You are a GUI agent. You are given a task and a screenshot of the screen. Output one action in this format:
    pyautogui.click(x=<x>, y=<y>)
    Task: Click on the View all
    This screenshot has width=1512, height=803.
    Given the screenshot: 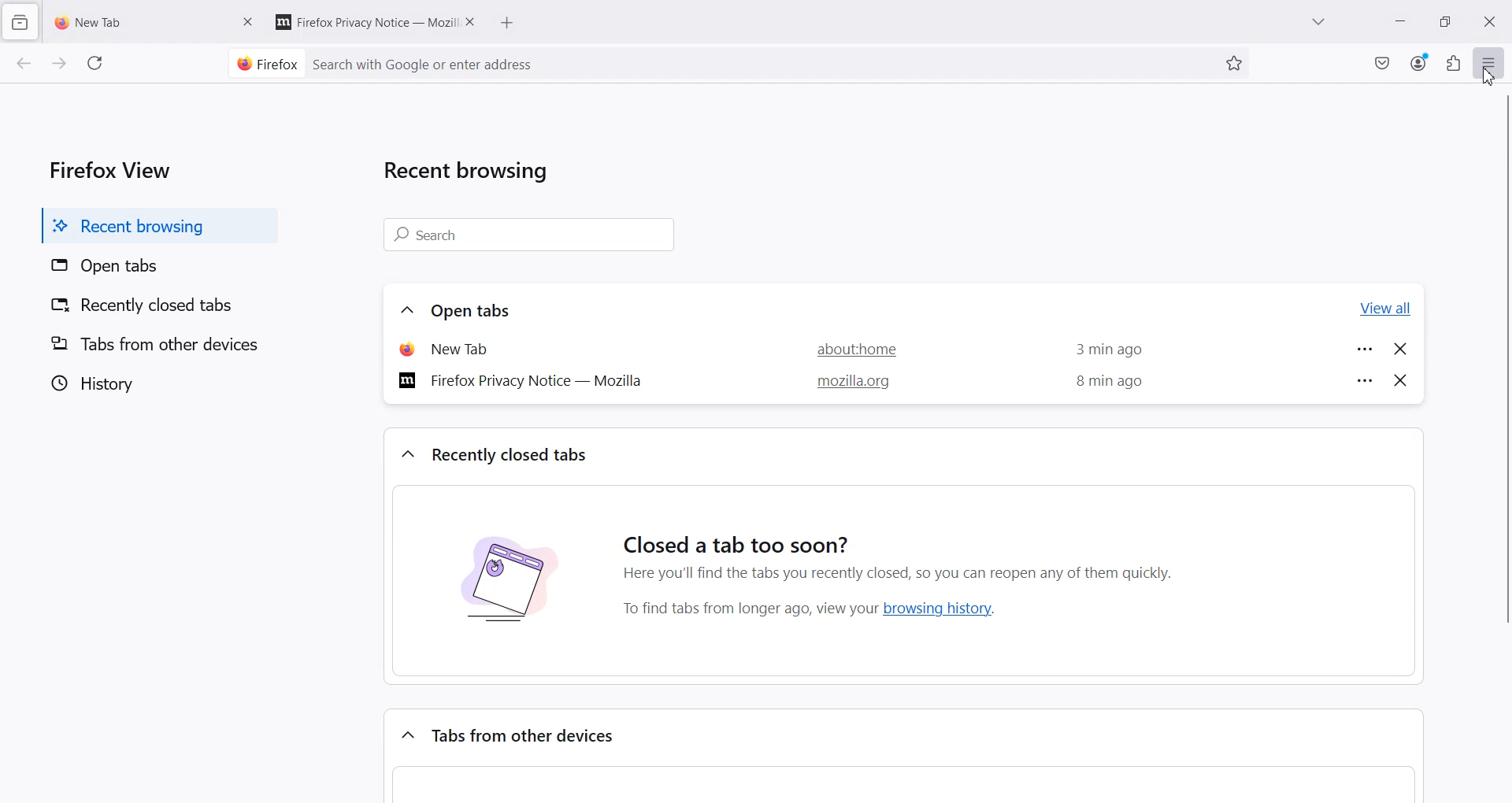 What is the action you would take?
    pyautogui.click(x=1386, y=309)
    